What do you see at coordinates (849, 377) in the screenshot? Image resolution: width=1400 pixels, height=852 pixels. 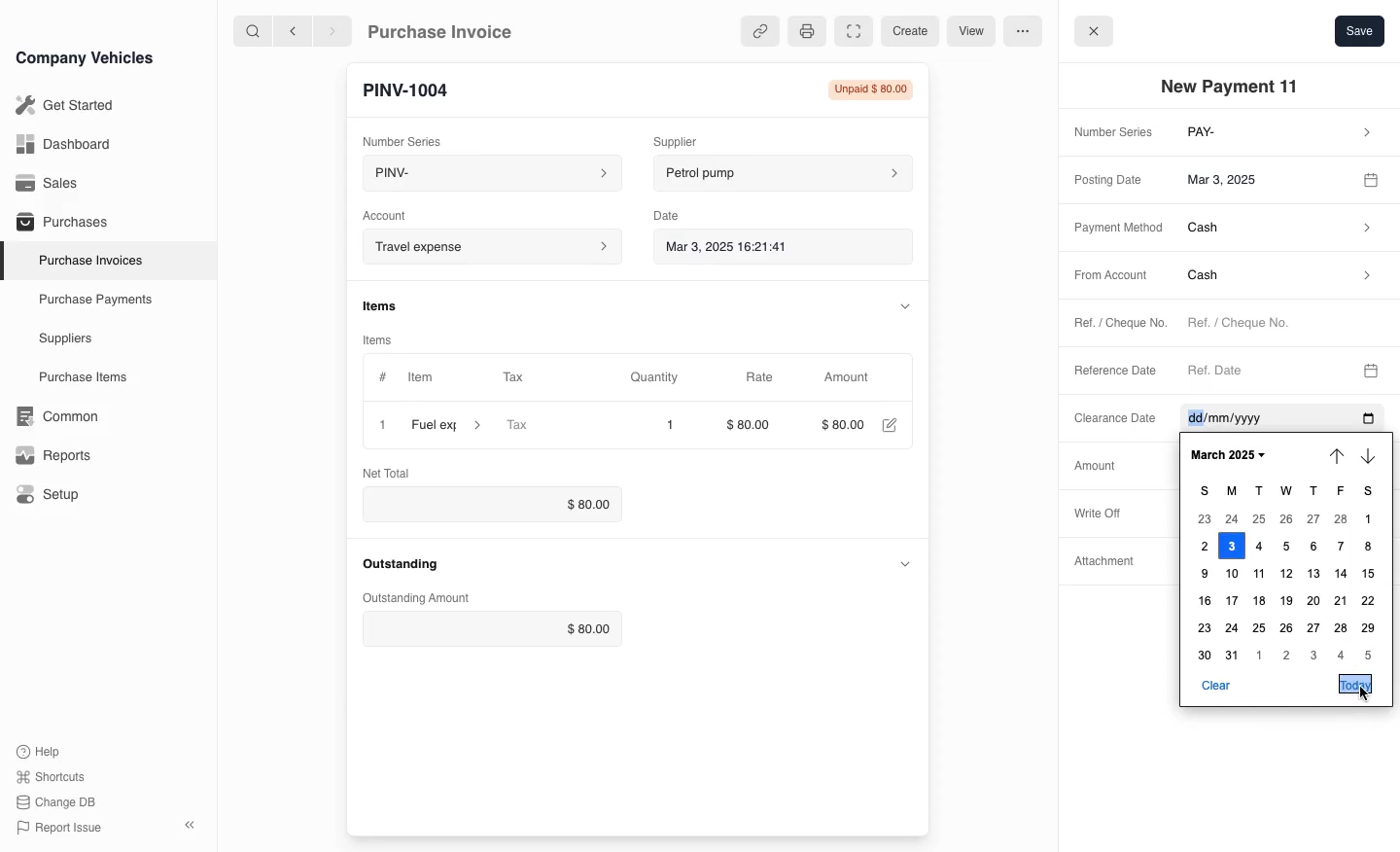 I see `Amount` at bounding box center [849, 377].